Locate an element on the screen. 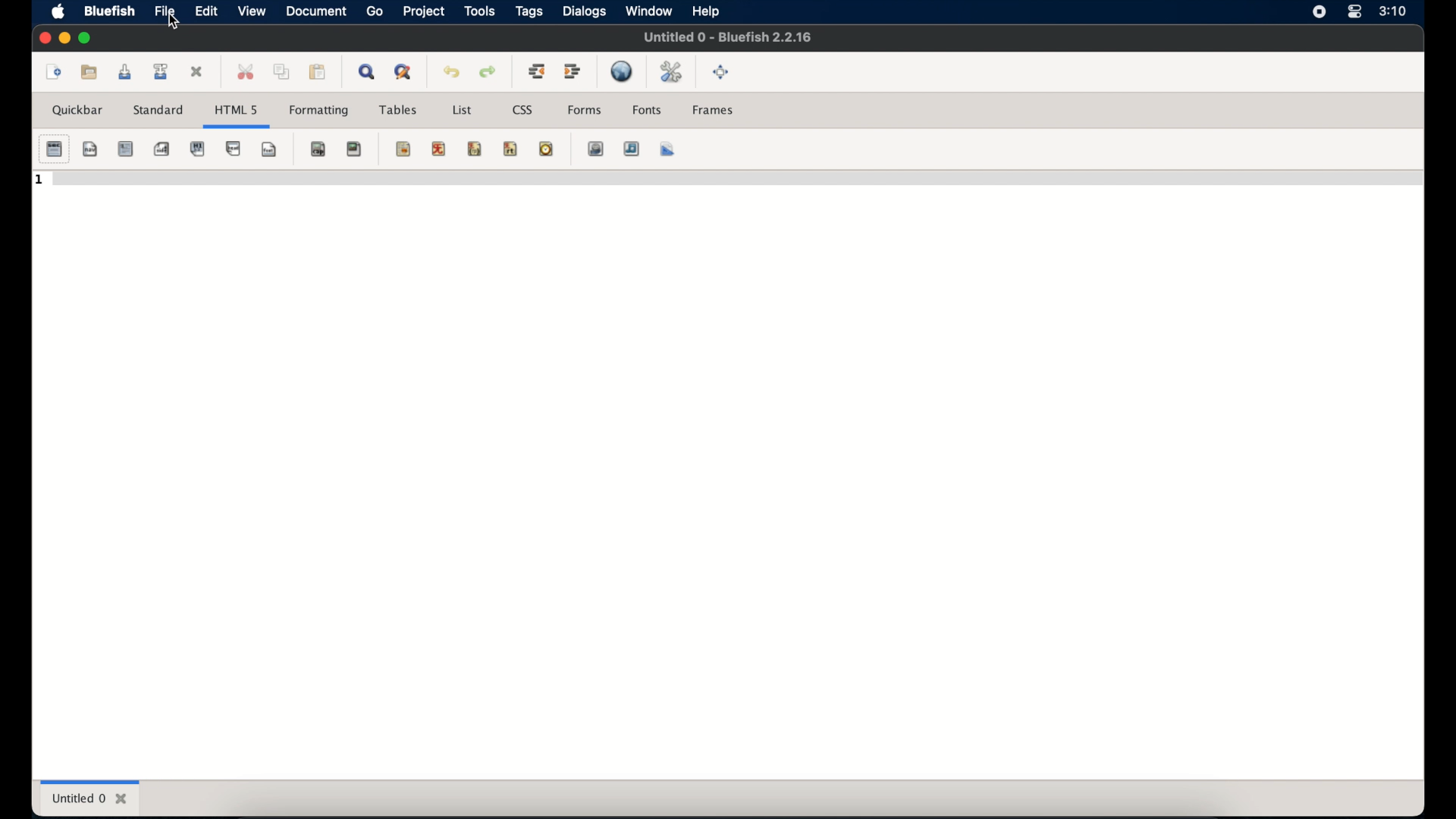 The image size is (1456, 819). multi thumbnail is located at coordinates (659, 149).